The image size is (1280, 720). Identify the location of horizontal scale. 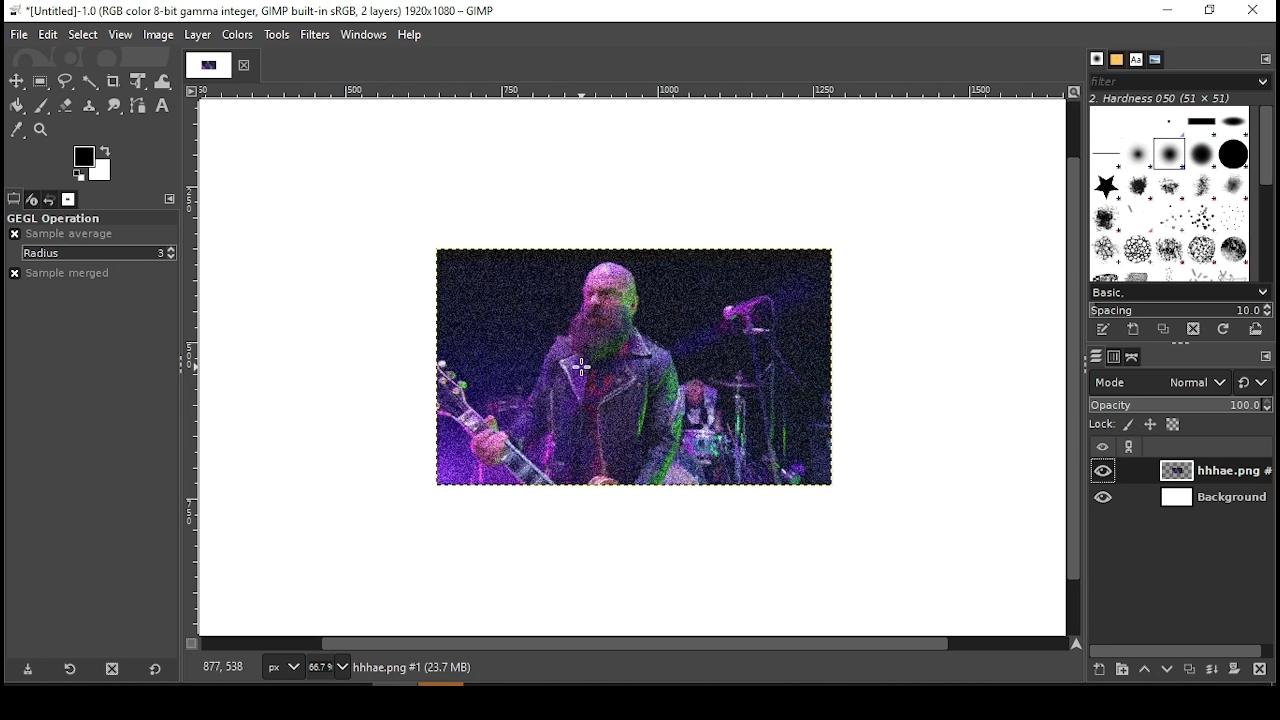
(635, 89).